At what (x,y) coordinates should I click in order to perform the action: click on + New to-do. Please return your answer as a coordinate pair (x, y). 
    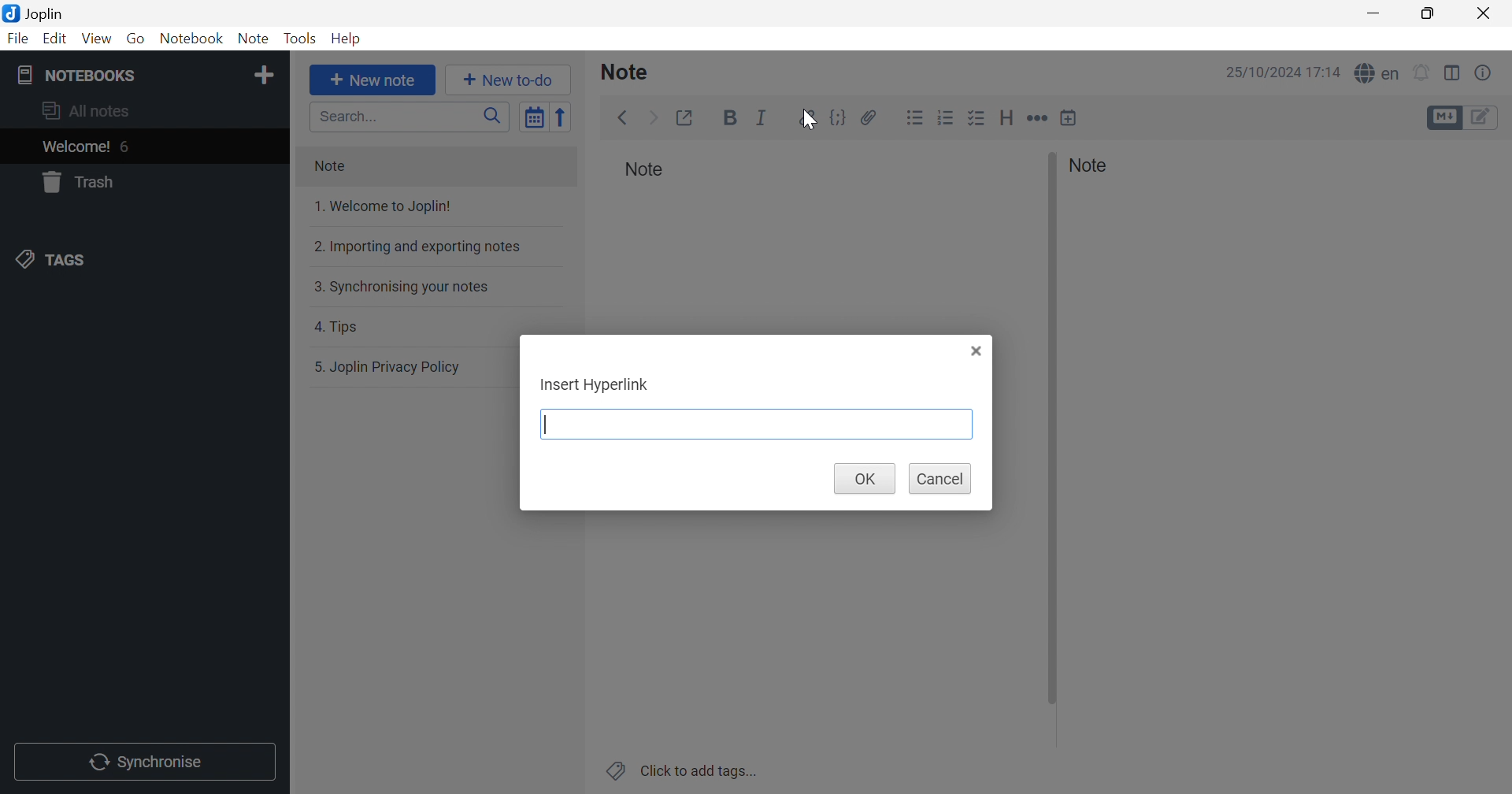
    Looking at the image, I should click on (510, 80).